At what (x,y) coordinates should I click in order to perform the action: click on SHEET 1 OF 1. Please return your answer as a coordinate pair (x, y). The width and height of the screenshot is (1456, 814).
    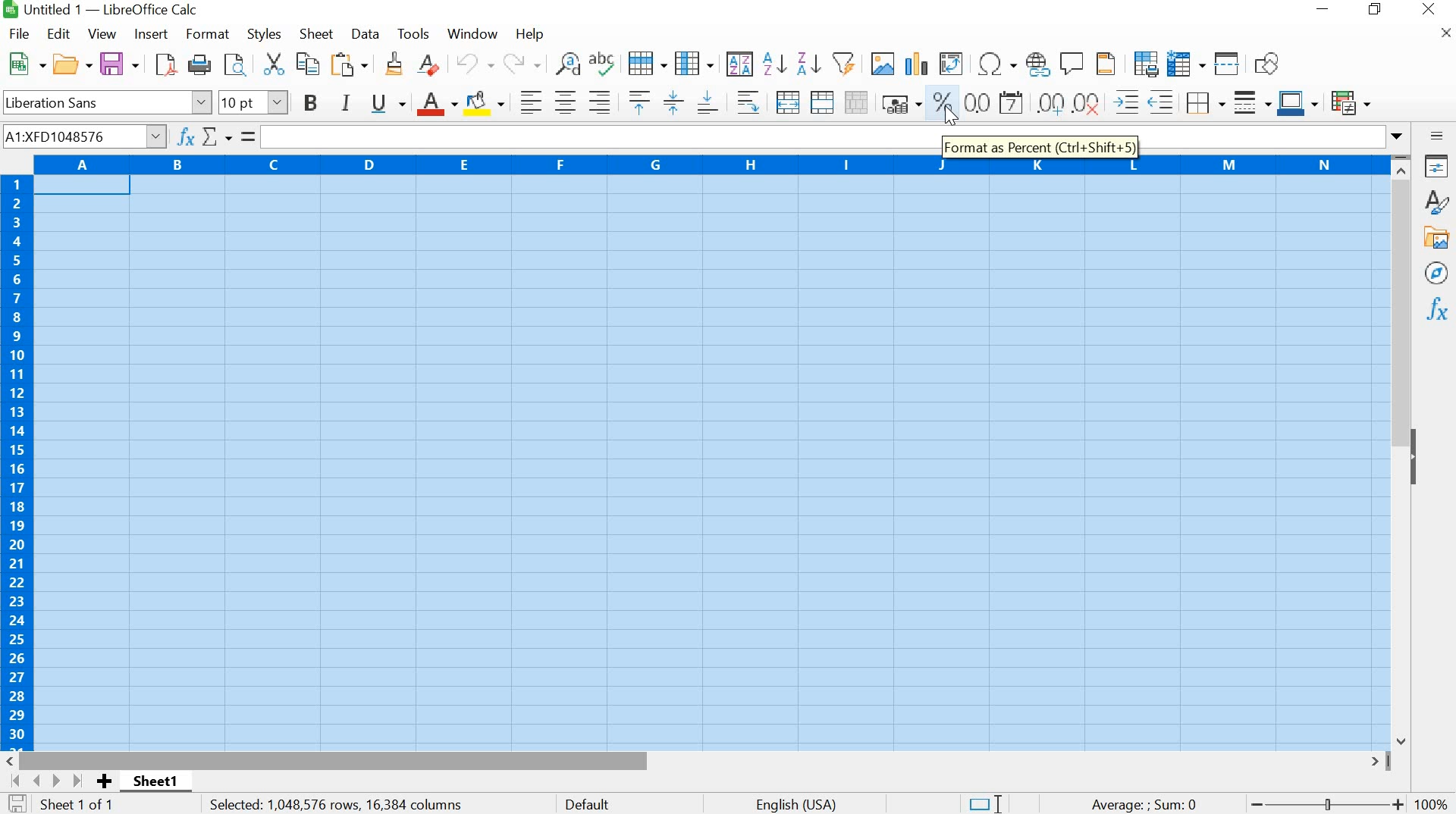
    Looking at the image, I should click on (80, 803).